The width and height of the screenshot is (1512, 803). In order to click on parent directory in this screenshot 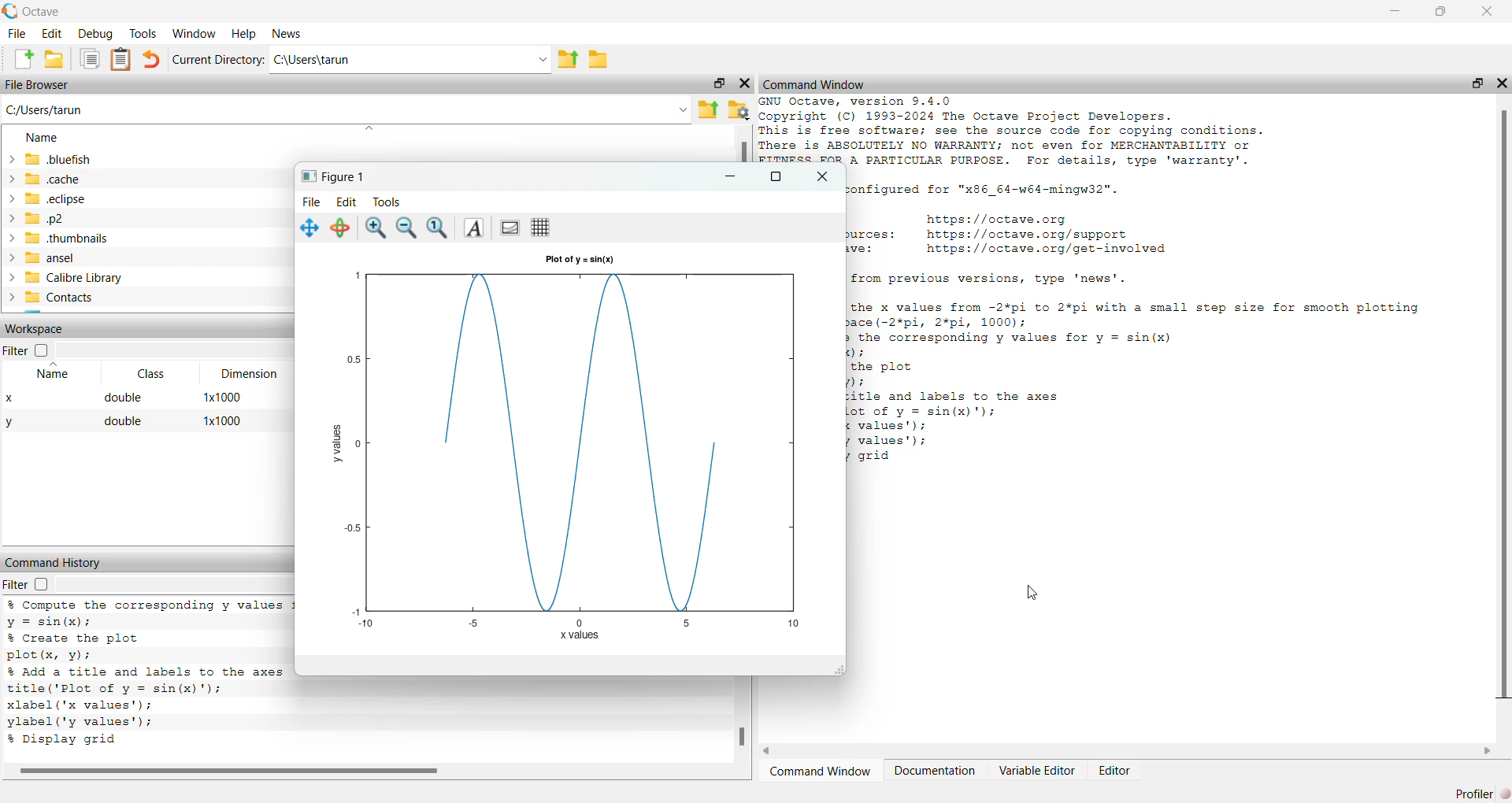, I will do `click(569, 59)`.